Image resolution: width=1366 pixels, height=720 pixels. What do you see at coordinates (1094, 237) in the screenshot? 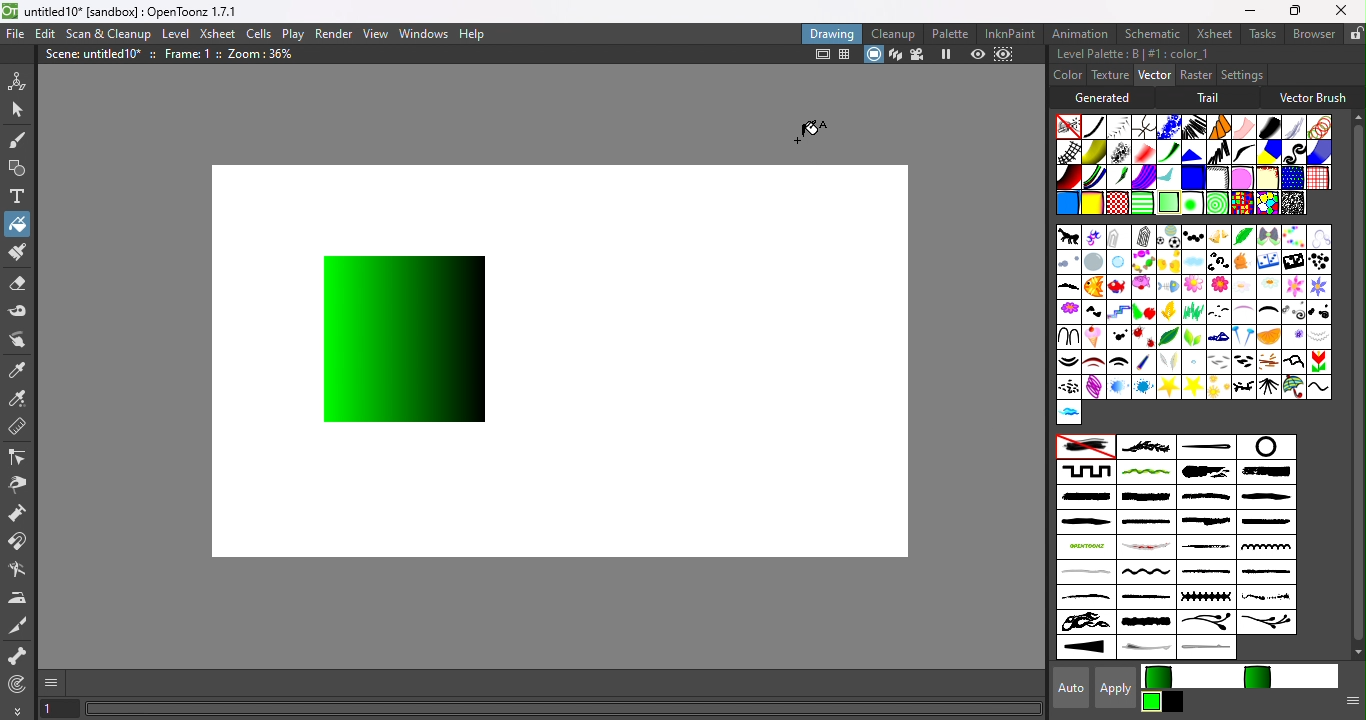
I see `Arc` at bounding box center [1094, 237].